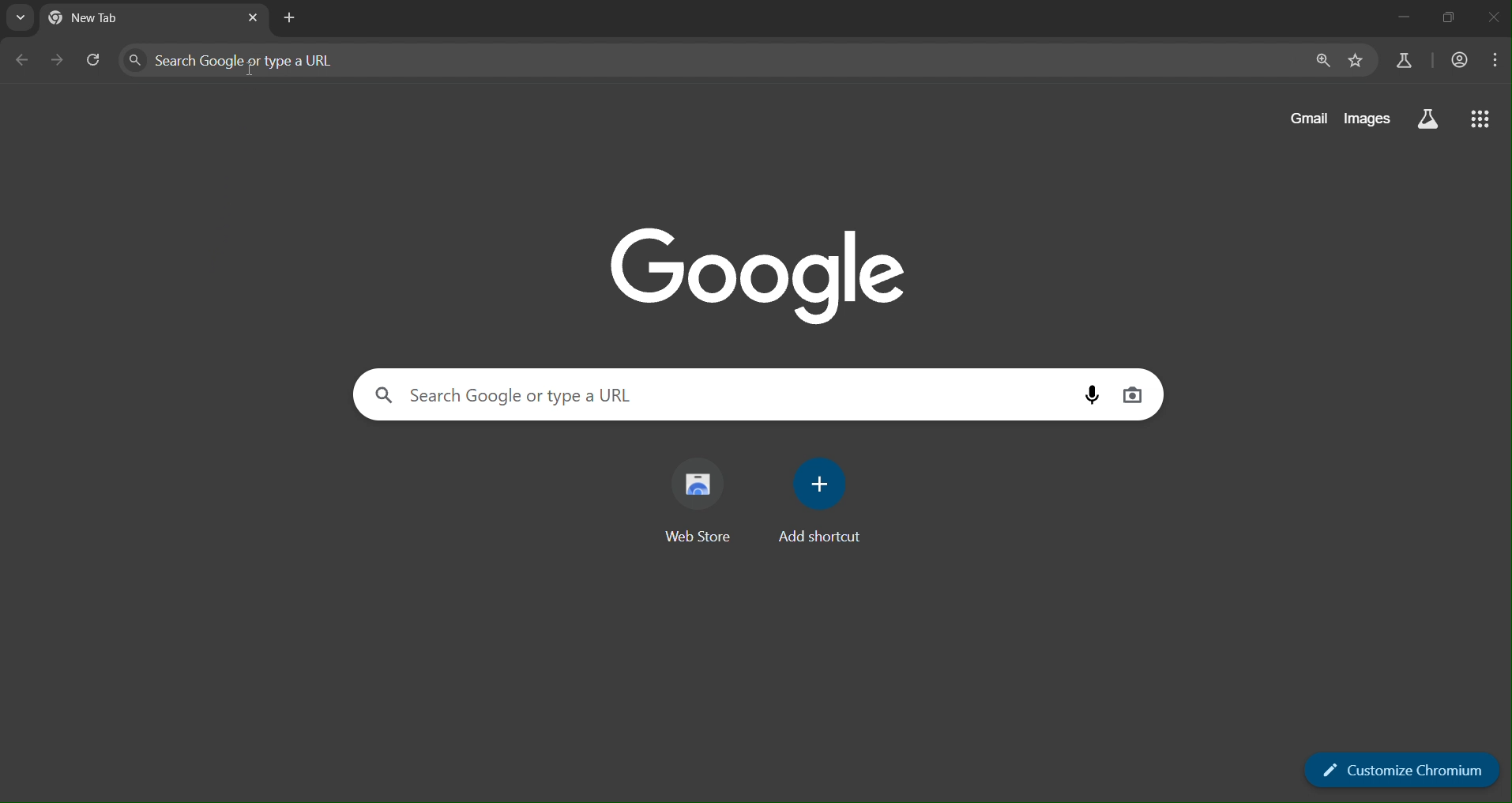 Image resolution: width=1512 pixels, height=803 pixels. I want to click on reload page, so click(96, 60).